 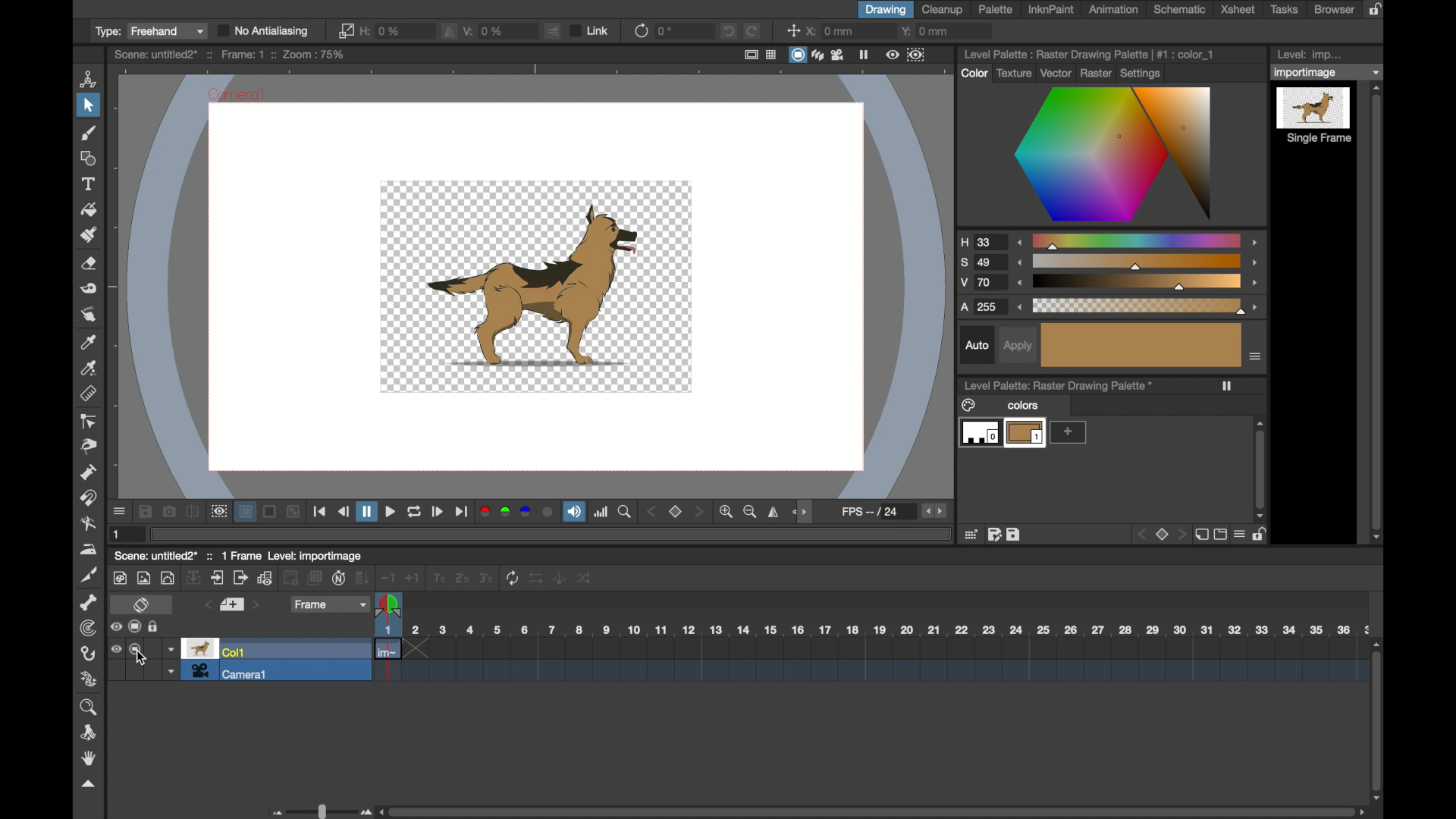 What do you see at coordinates (367, 512) in the screenshot?
I see `pause` at bounding box center [367, 512].